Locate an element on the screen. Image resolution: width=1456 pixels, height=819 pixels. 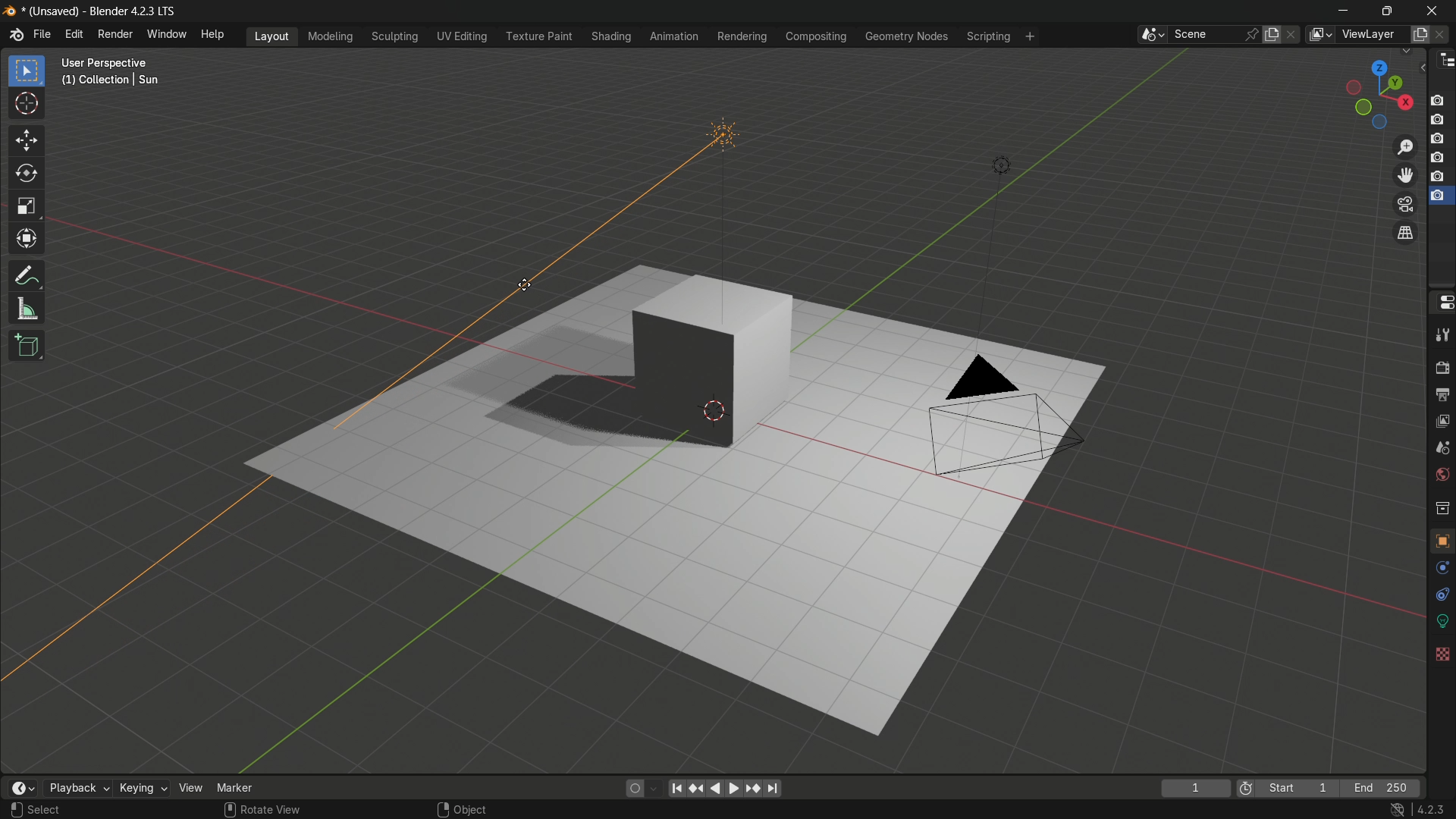
no internet icon is located at coordinates (1400, 810).